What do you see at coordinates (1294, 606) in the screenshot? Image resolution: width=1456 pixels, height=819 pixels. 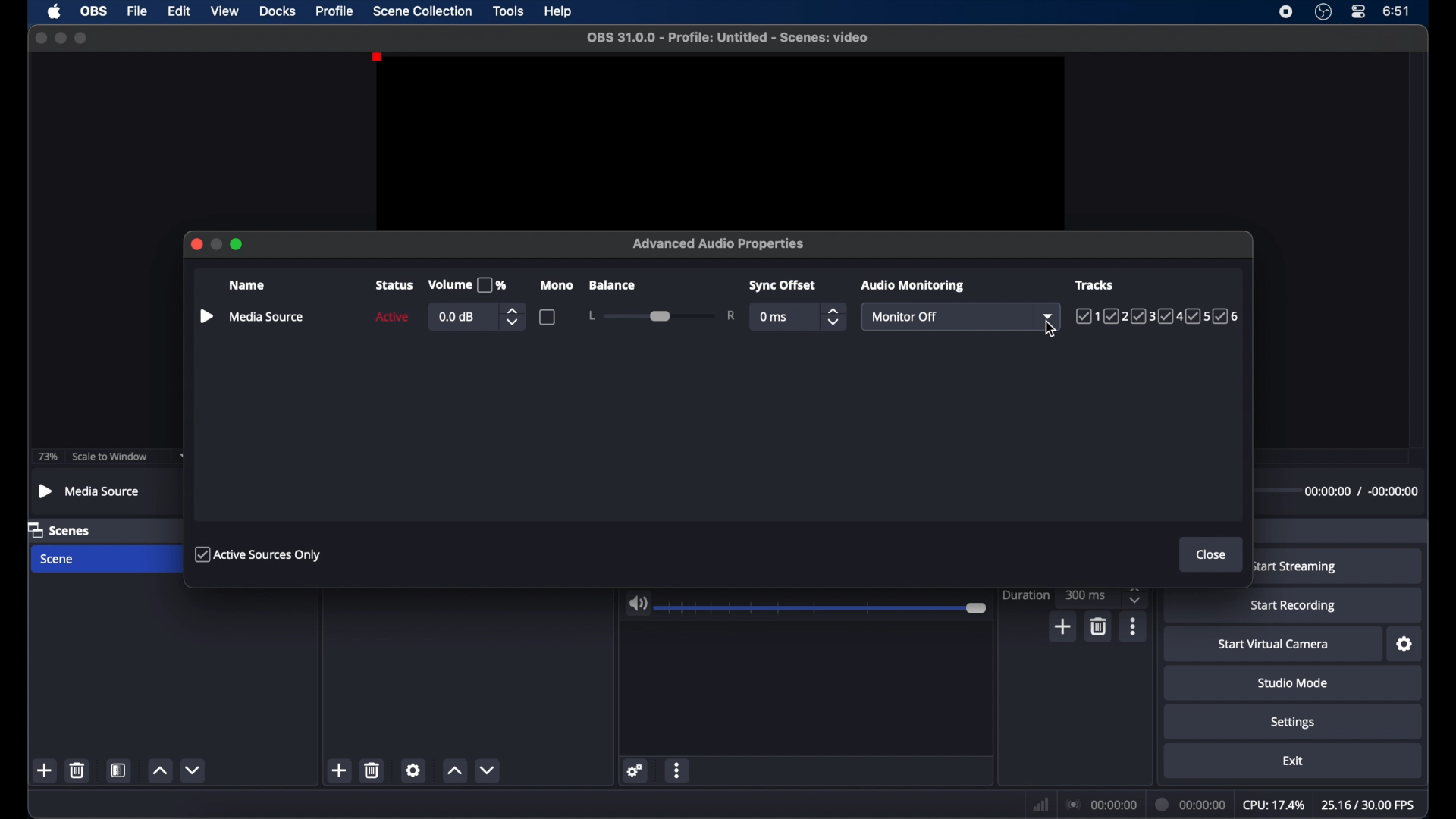 I see `start recording` at bounding box center [1294, 606].